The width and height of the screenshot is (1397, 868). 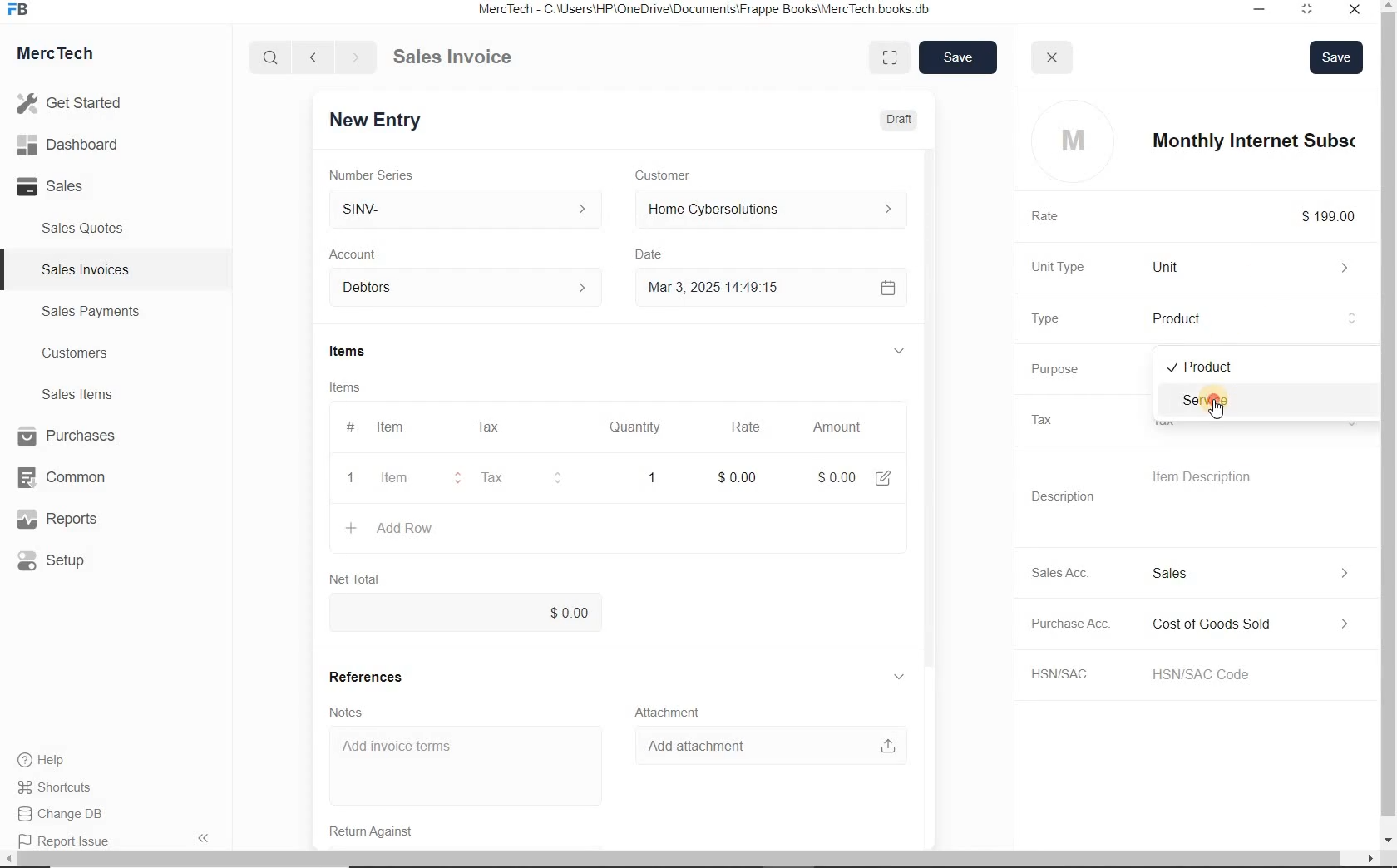 I want to click on $0.00, so click(x=475, y=613).